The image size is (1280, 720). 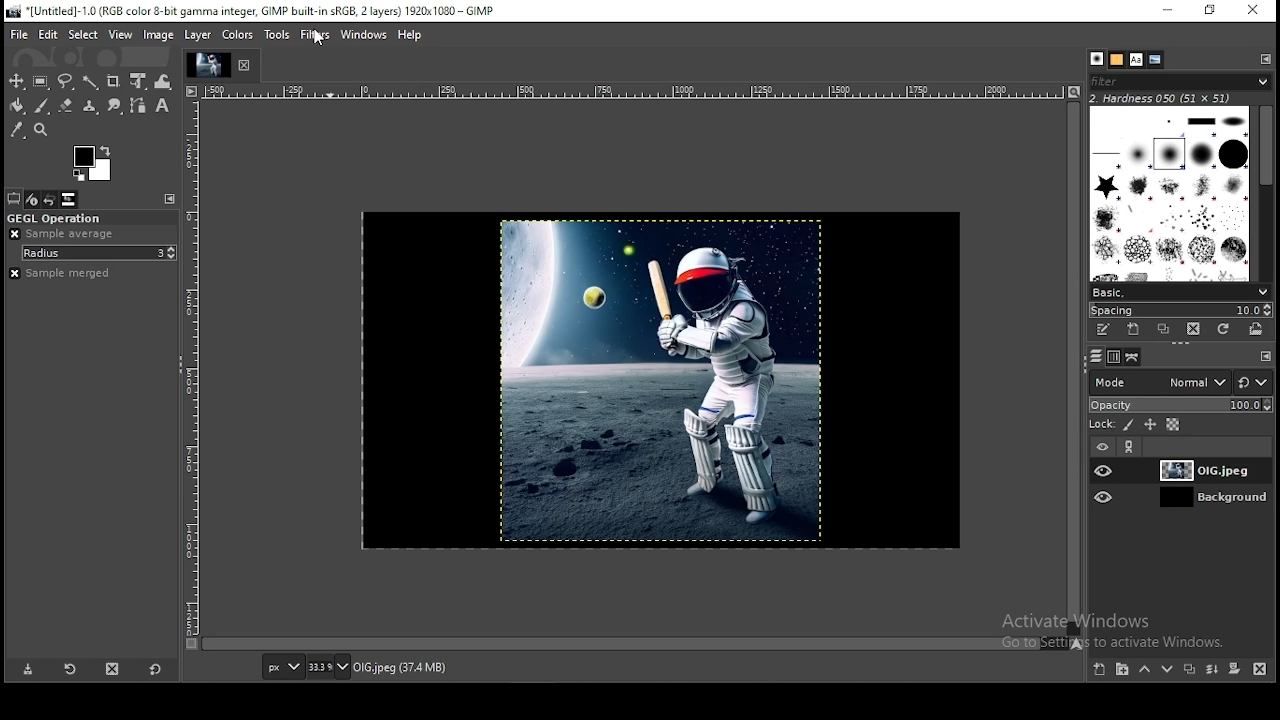 I want to click on text tool, so click(x=162, y=106).